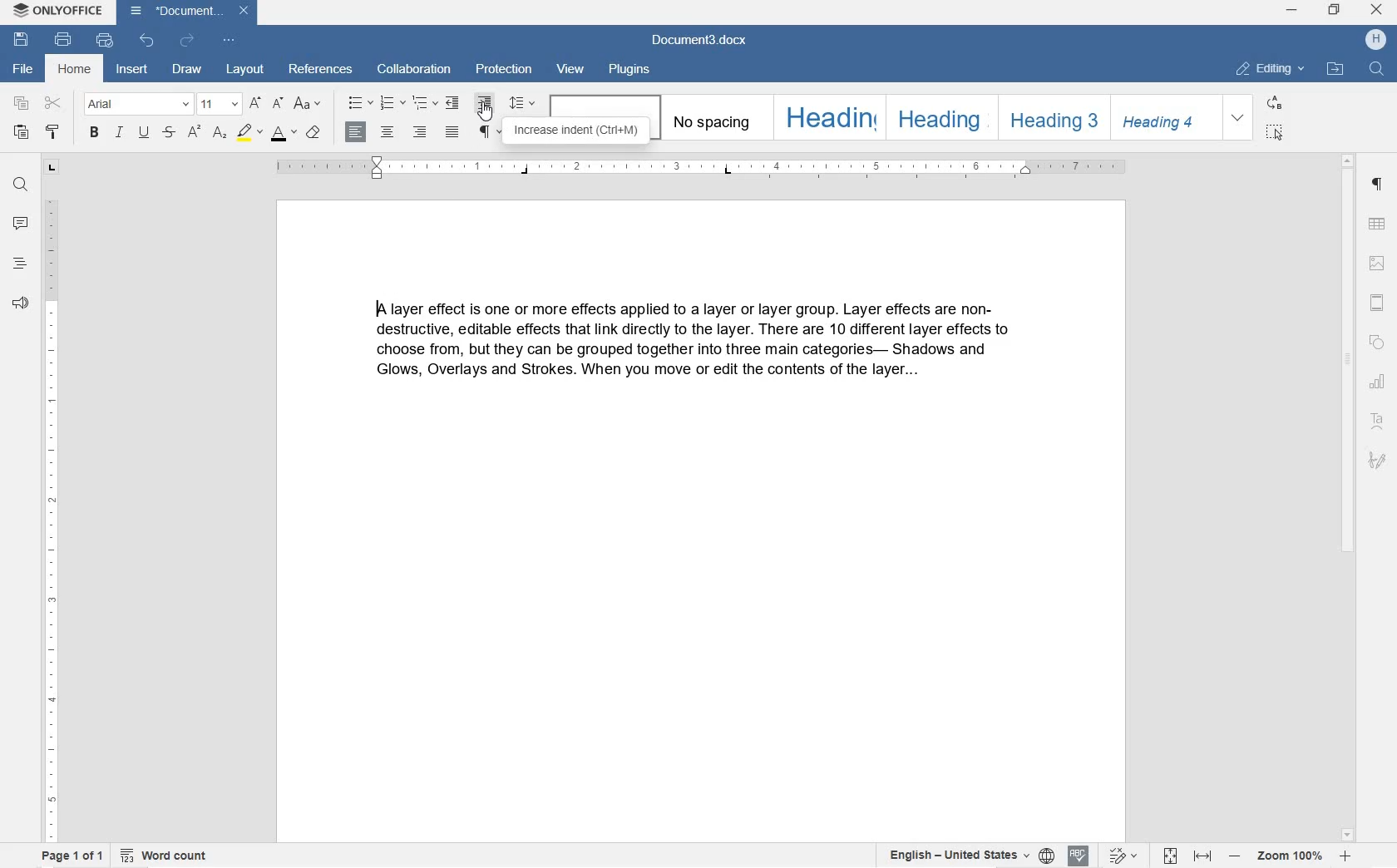 Image resolution: width=1397 pixels, height=868 pixels. I want to click on FEEDBACK & SUPPORT, so click(21, 305).